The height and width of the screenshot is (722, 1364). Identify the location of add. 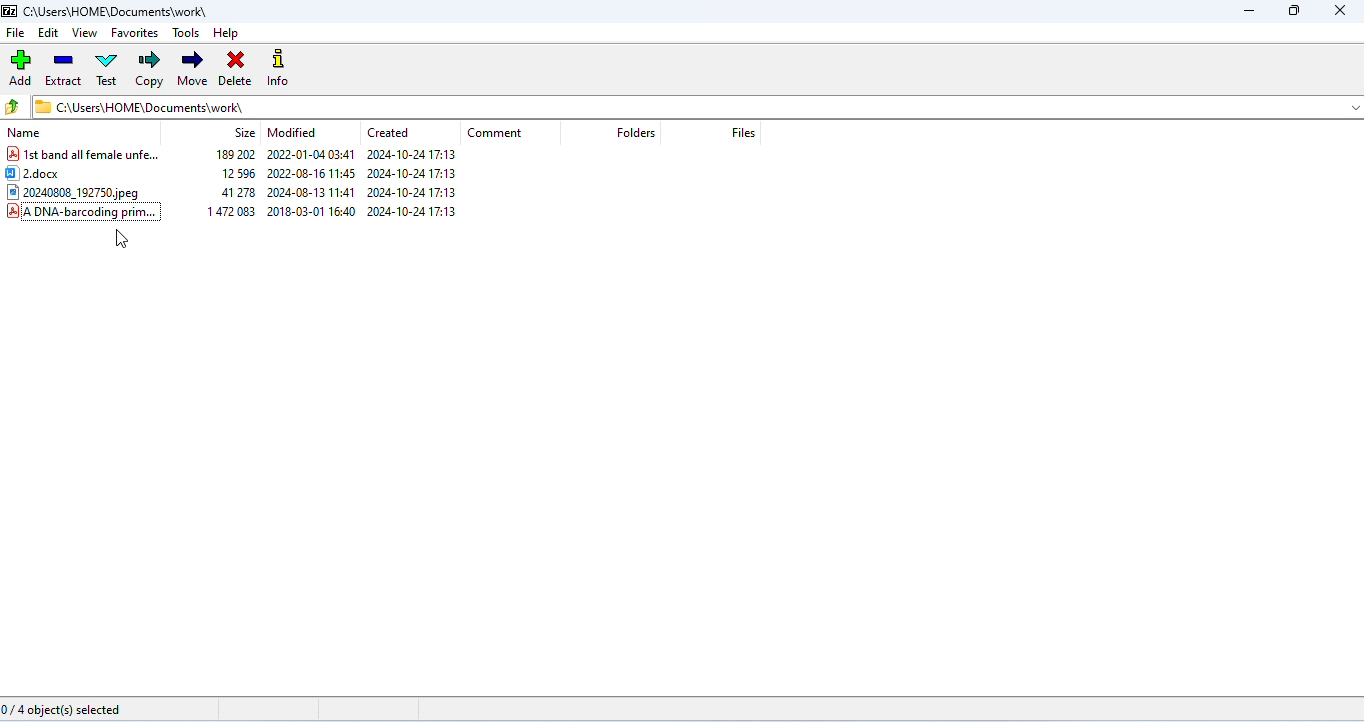
(22, 67).